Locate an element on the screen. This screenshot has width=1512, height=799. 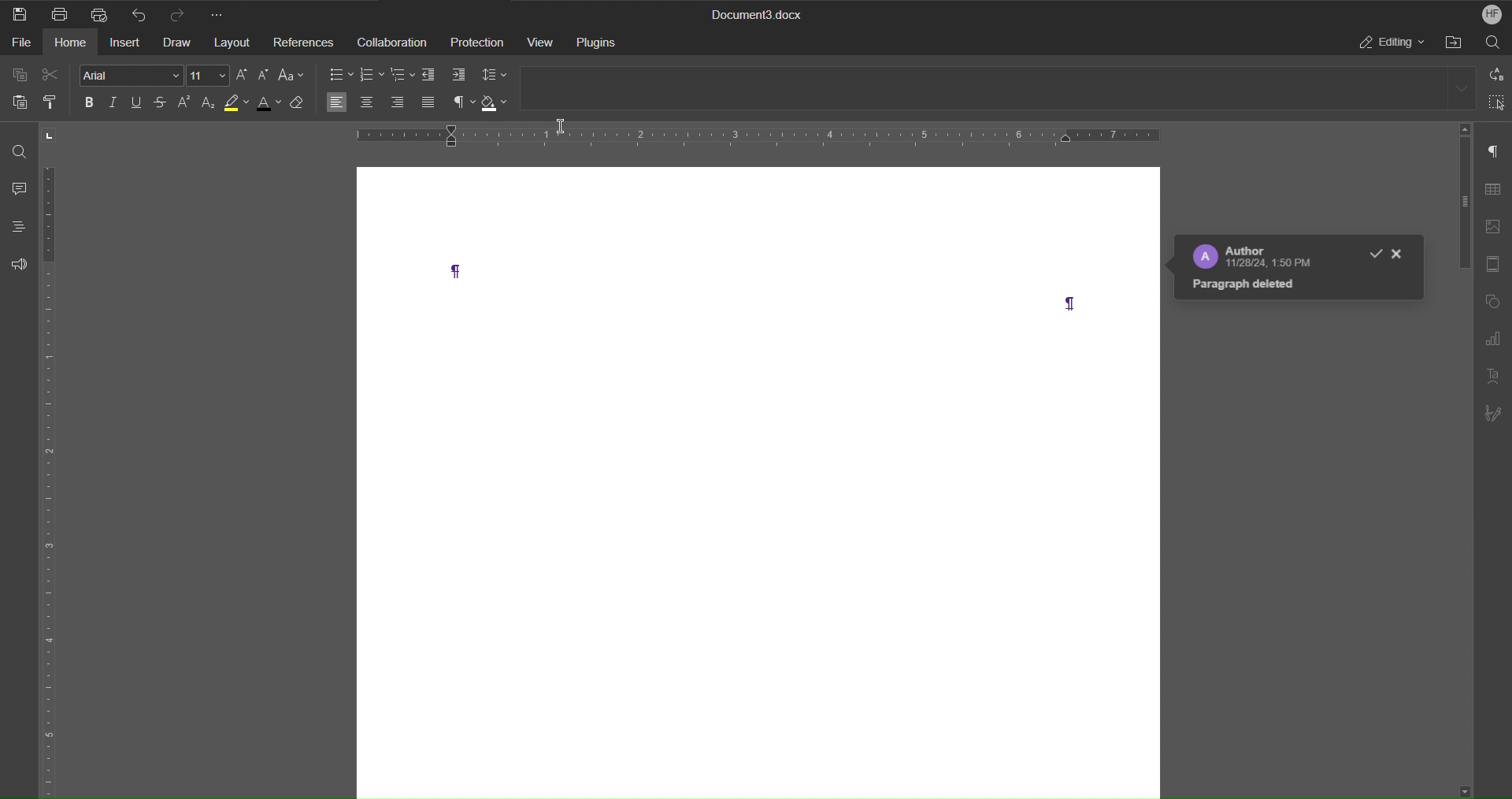
Justify is located at coordinates (427, 100).